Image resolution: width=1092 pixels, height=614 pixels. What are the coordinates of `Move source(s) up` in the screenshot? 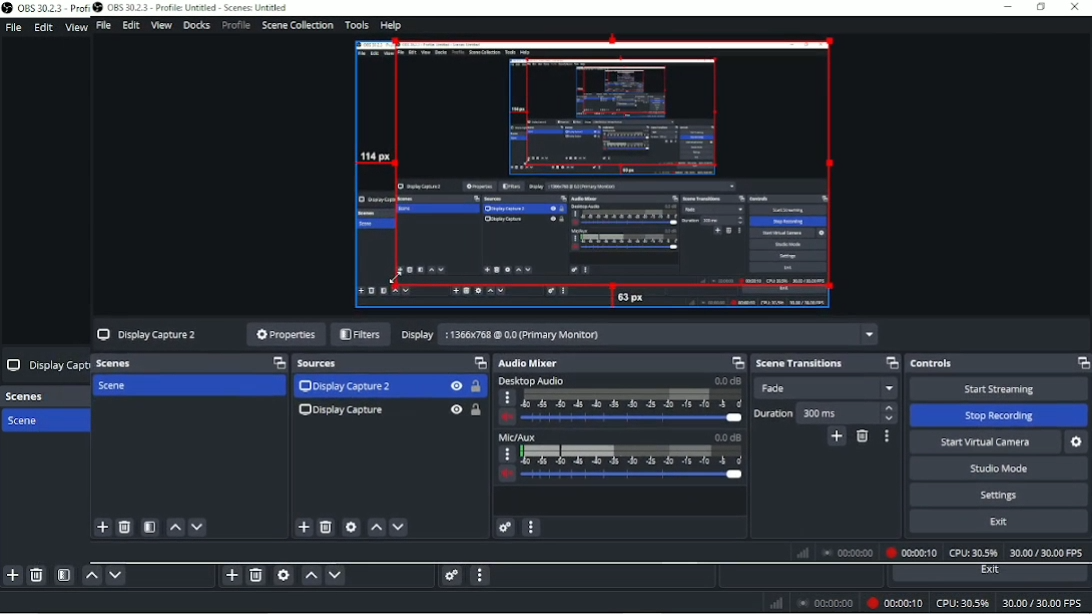 It's located at (311, 577).